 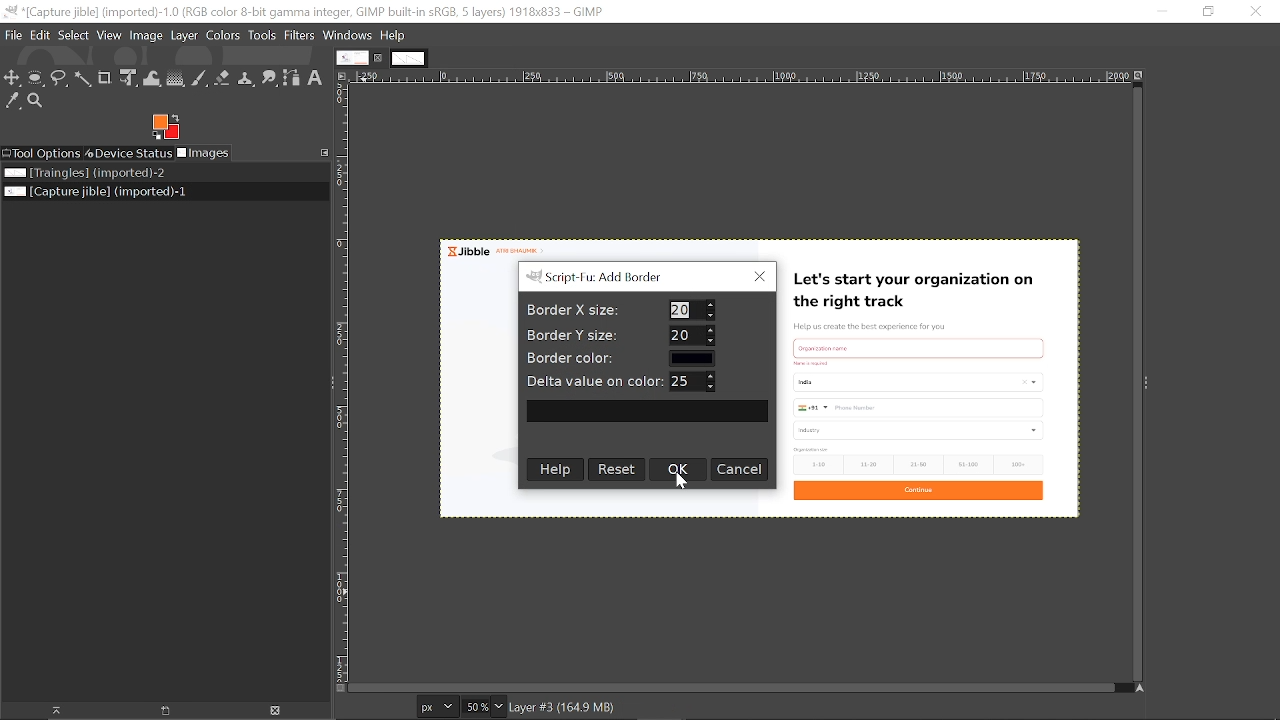 I want to click on Sript-Tu: Add Border, so click(x=593, y=277).